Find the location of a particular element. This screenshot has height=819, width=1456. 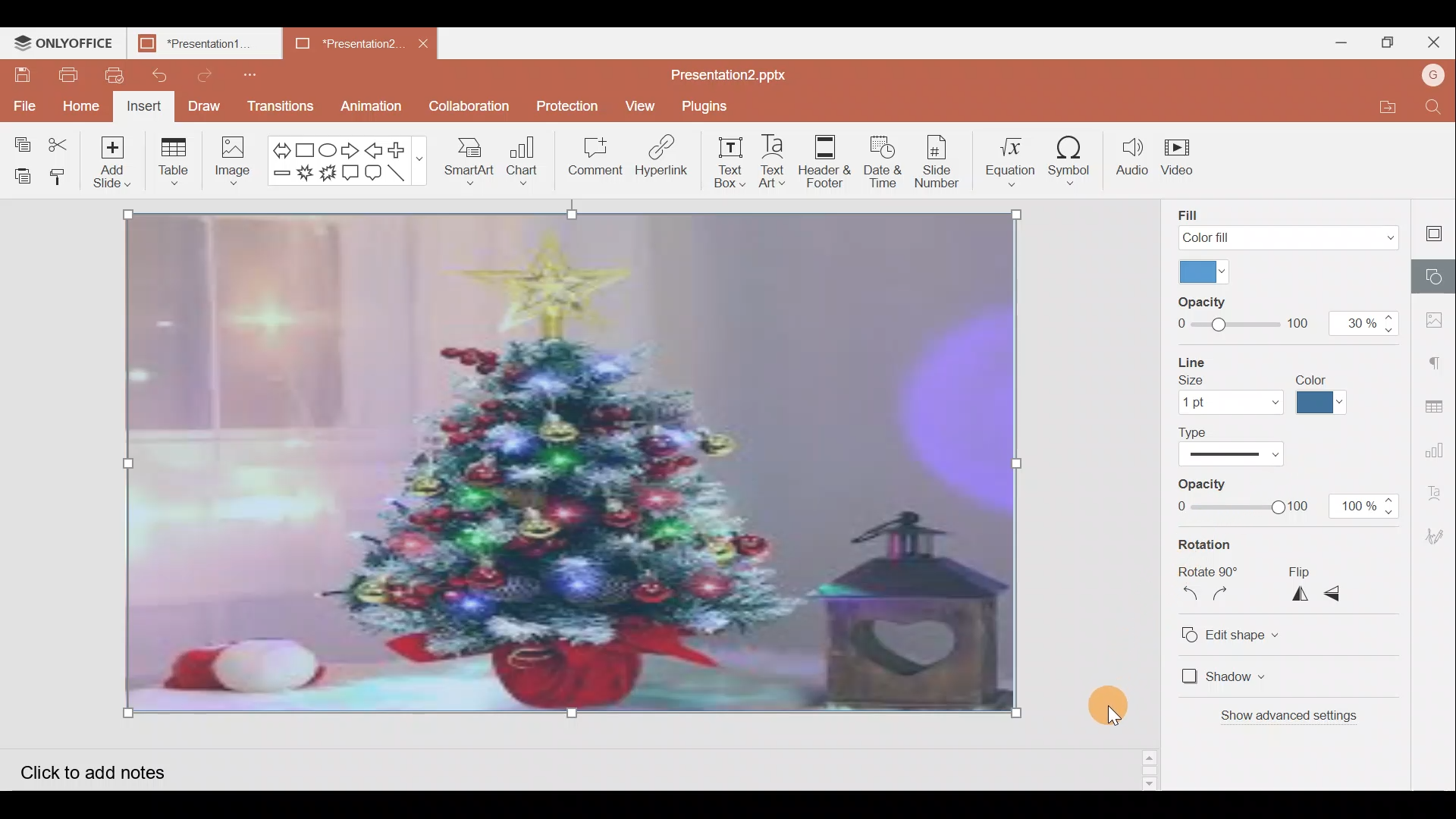

Collaboration is located at coordinates (470, 106).